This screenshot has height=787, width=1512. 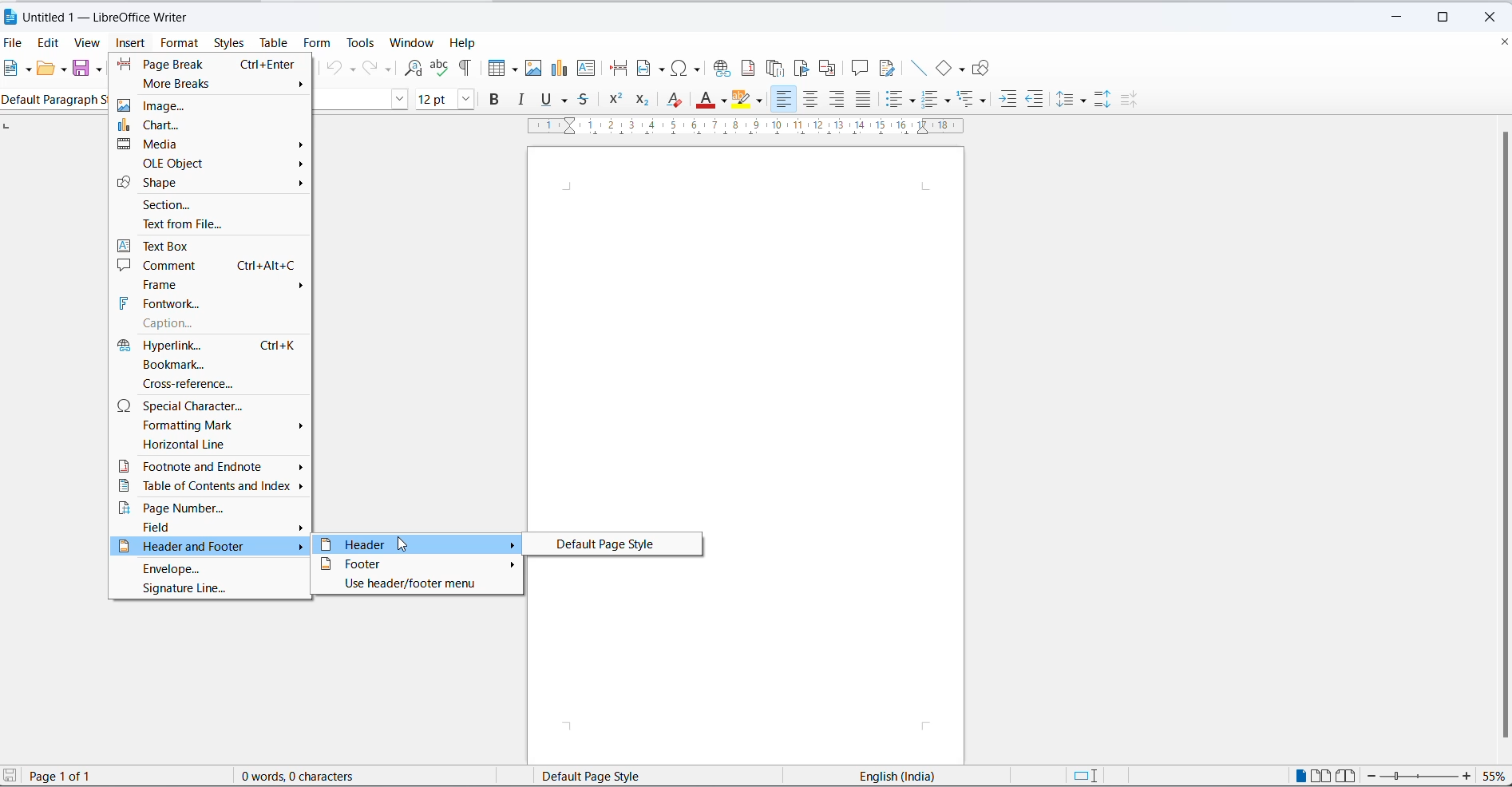 I want to click on underline, so click(x=566, y=101).